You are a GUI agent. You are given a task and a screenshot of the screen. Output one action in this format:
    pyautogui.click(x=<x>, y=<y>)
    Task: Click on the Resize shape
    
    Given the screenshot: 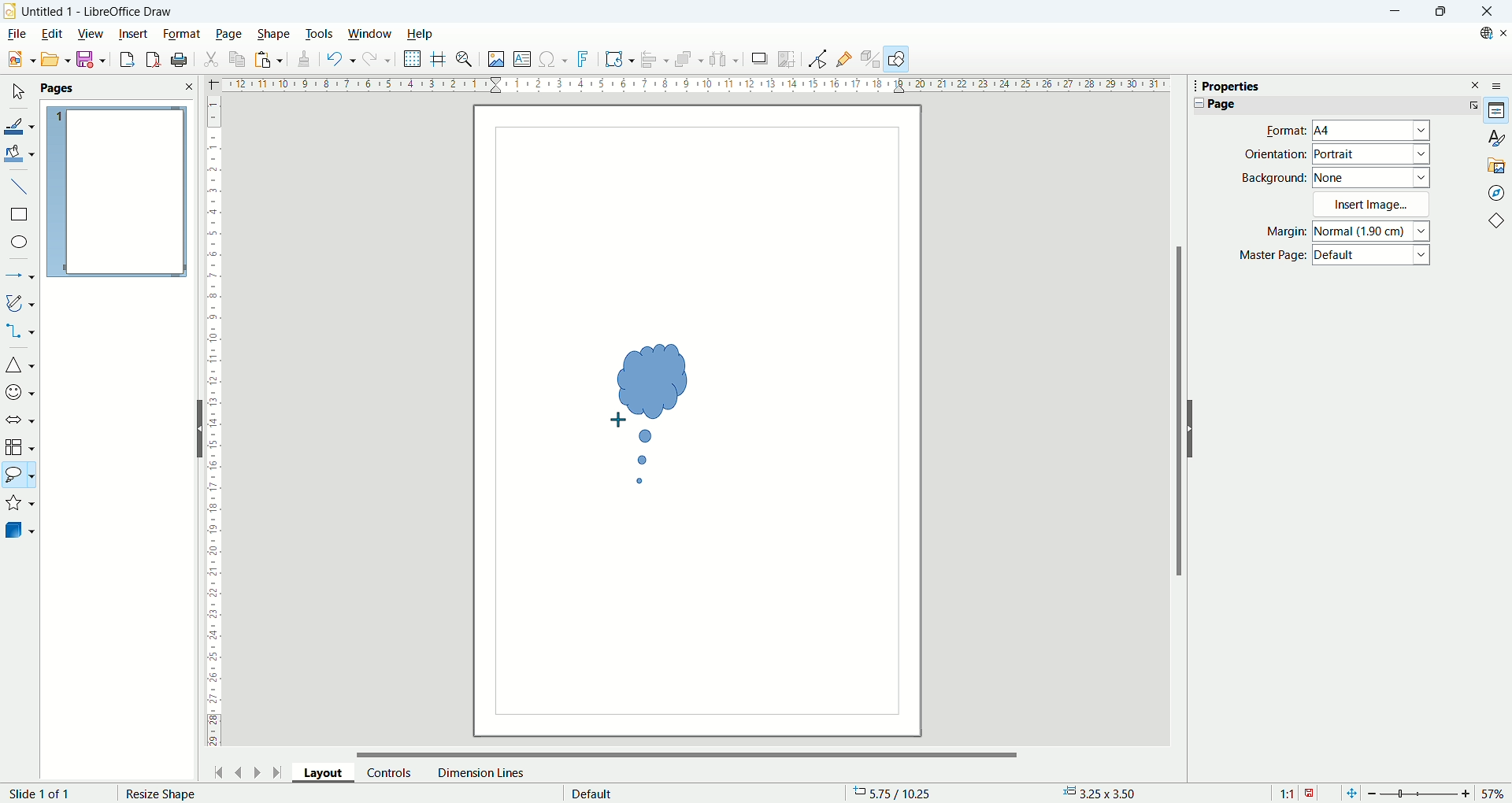 What is the action you would take?
    pyautogui.click(x=161, y=794)
    